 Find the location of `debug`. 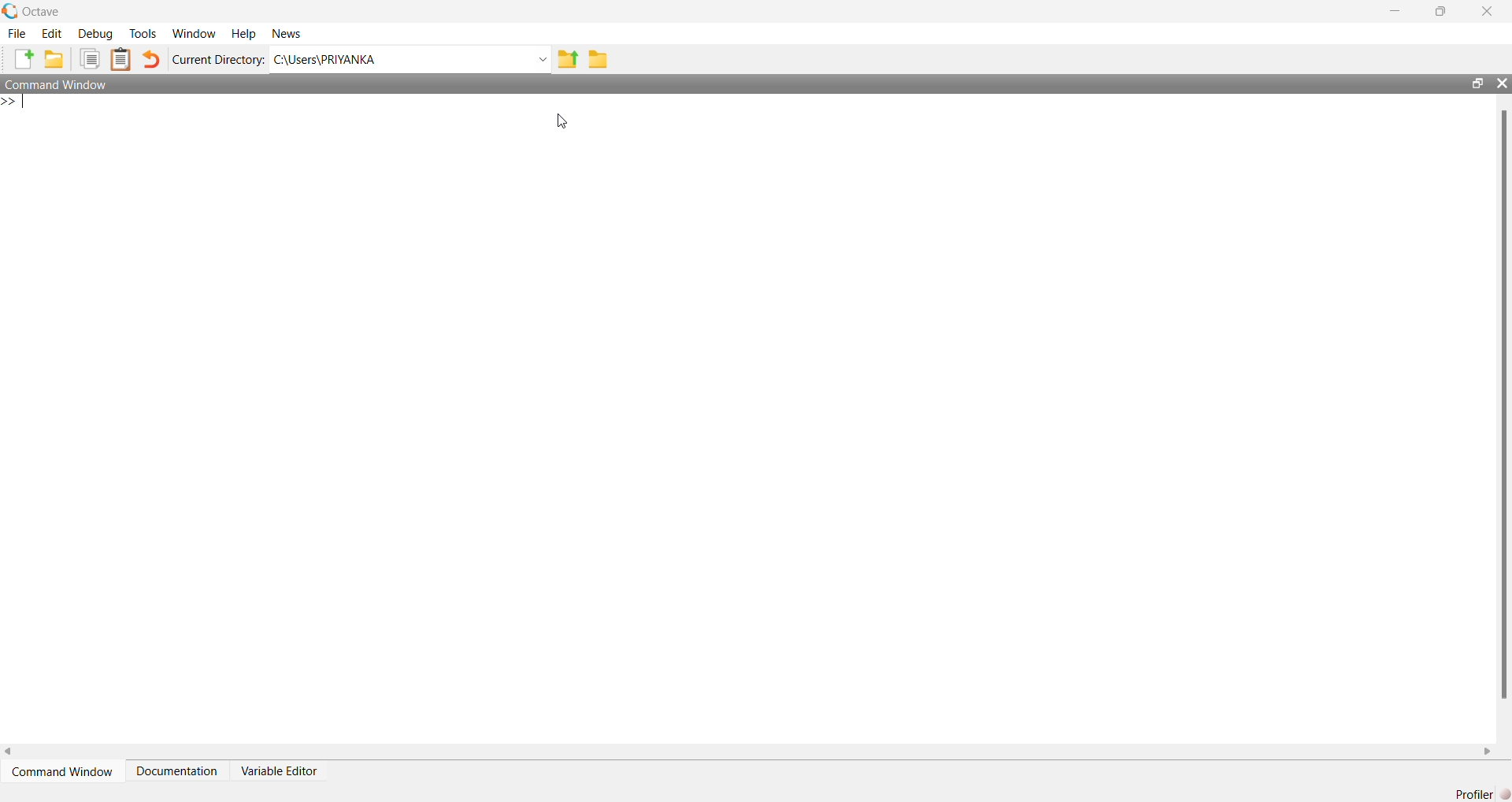

debug is located at coordinates (94, 35).